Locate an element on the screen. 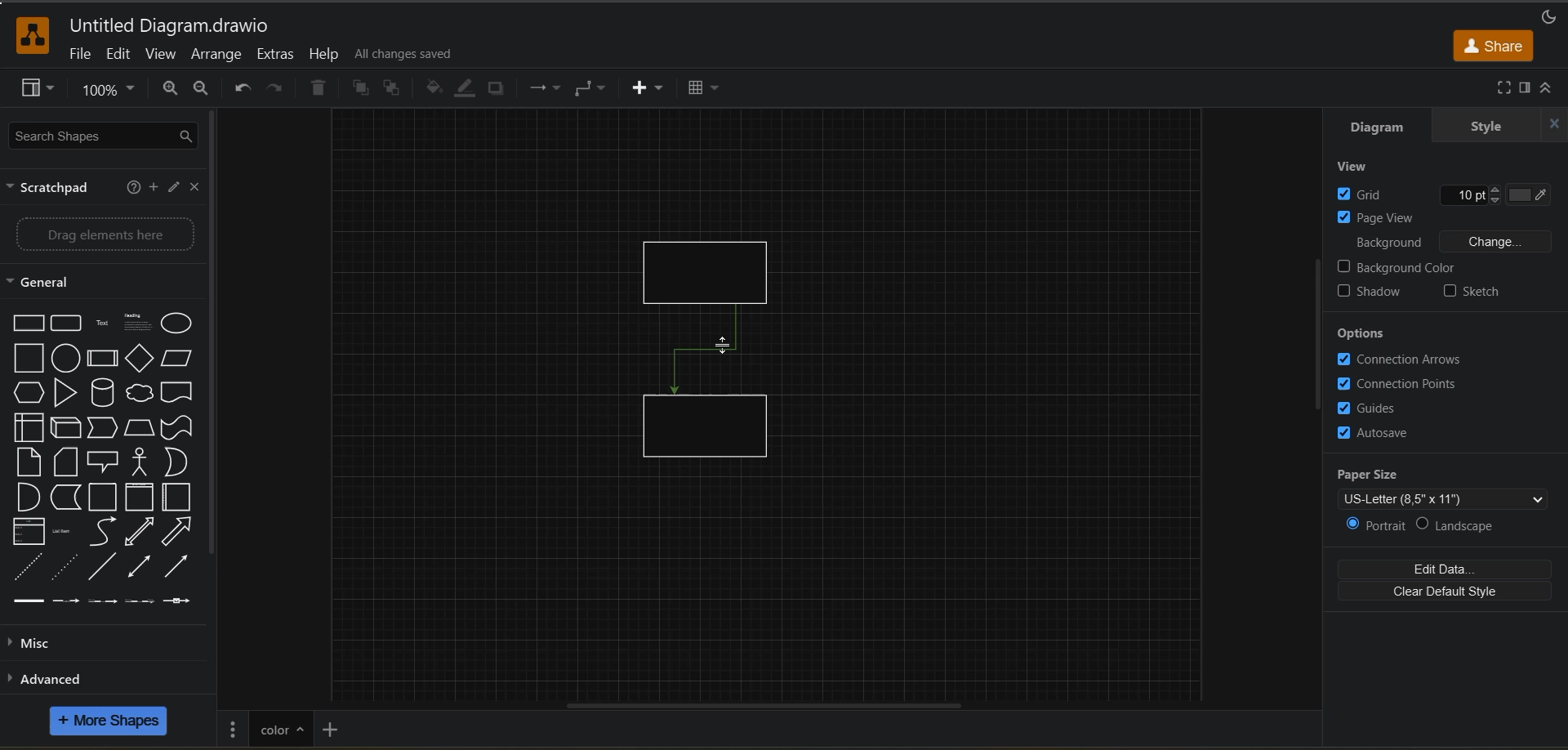 The width and height of the screenshot is (1568, 750). clear default style is located at coordinates (1450, 593).